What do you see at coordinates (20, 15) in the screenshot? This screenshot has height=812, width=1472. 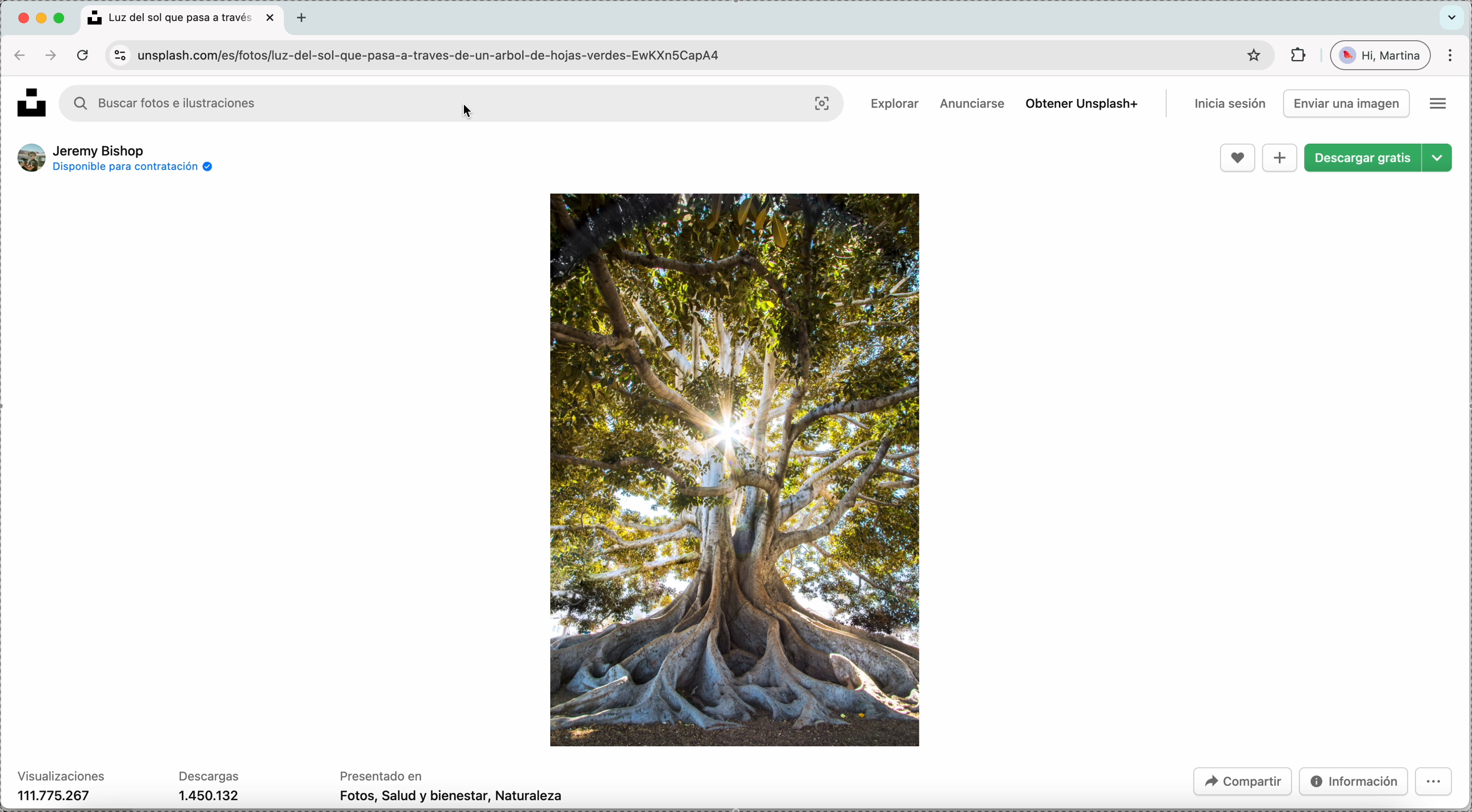 I see `close` at bounding box center [20, 15].